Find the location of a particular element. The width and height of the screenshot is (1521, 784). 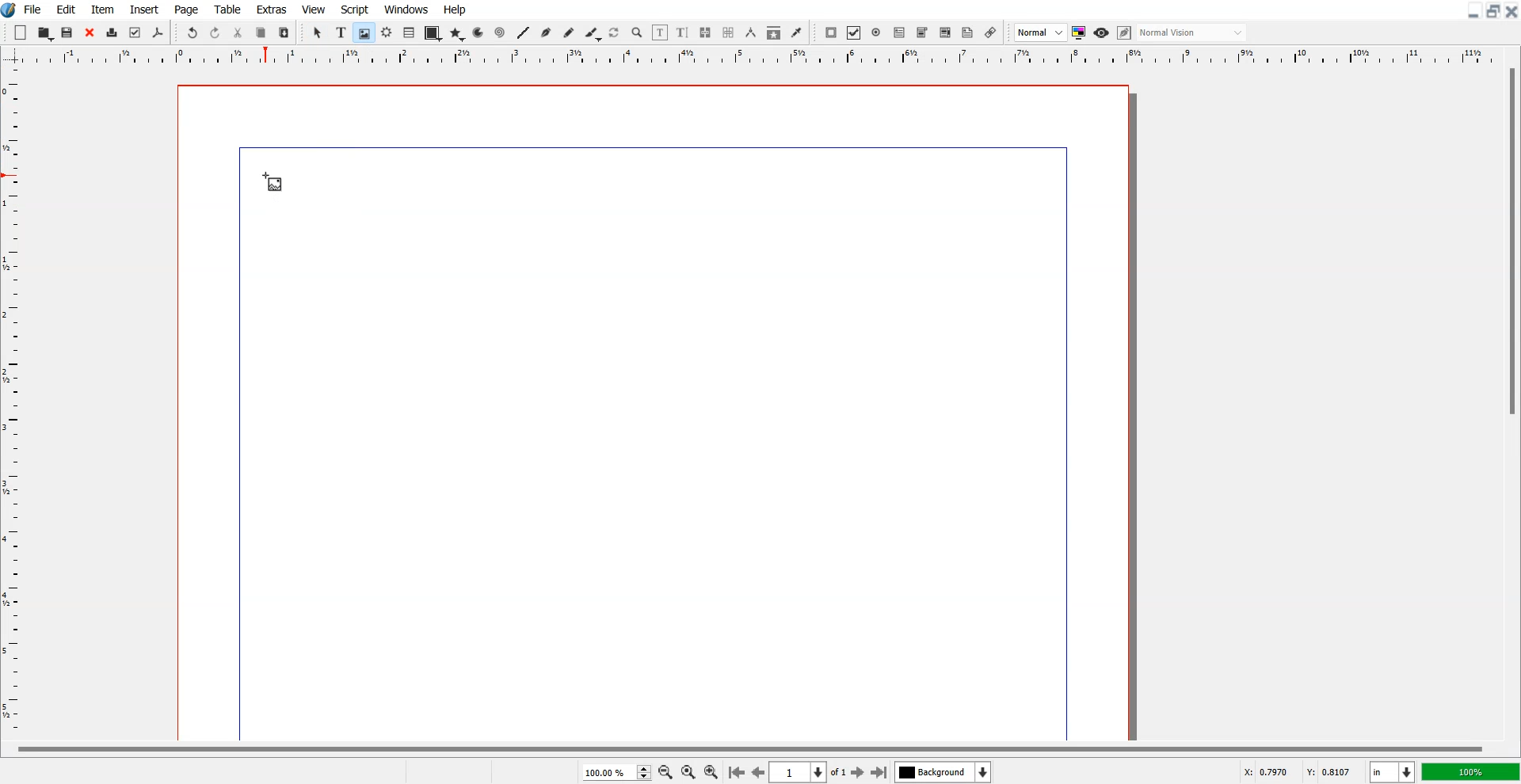

Go to Next Page is located at coordinates (860, 773).